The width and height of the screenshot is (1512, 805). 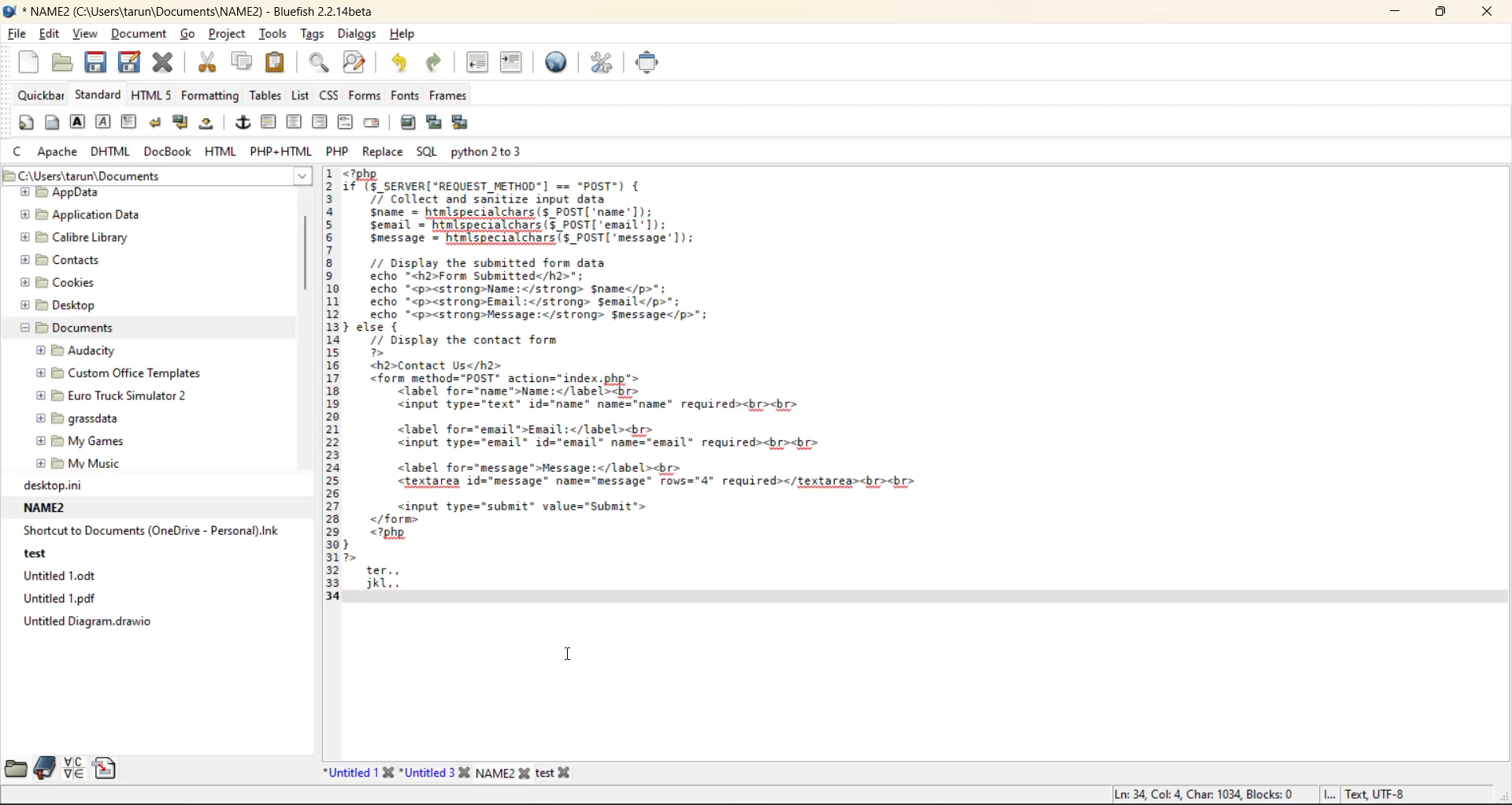 I want to click on Text, UTF-8, so click(x=1366, y=795).